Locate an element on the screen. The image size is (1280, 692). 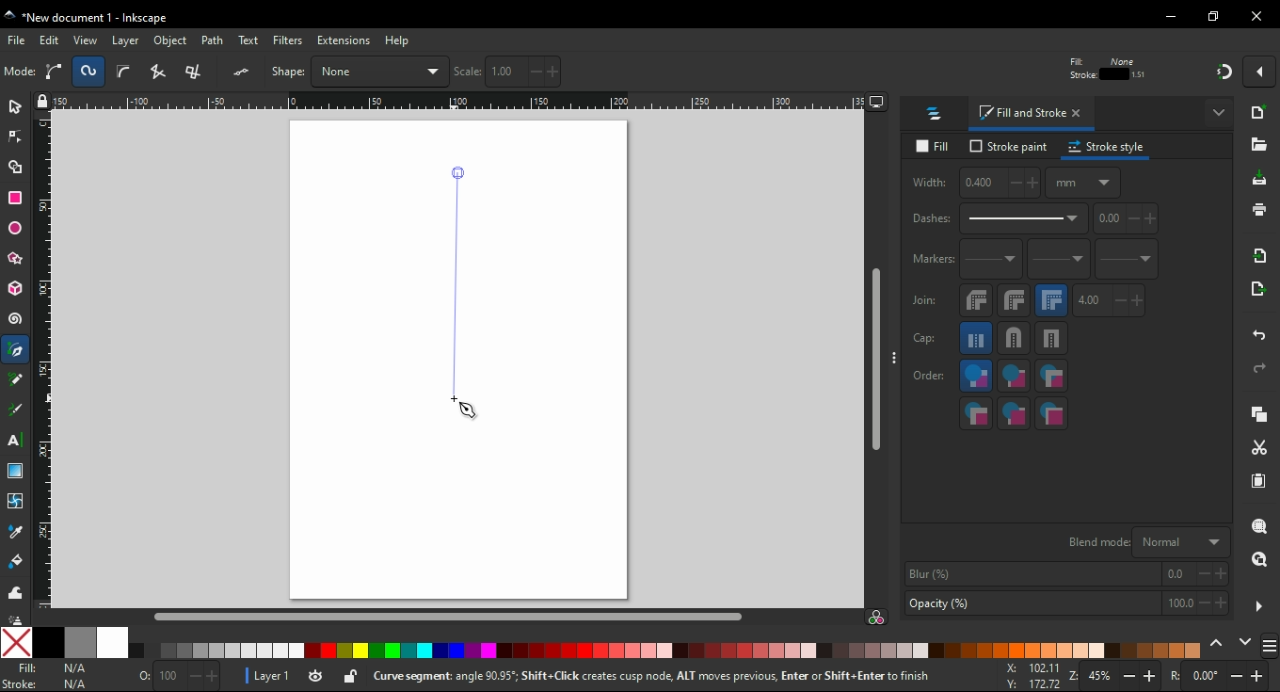
last markers is located at coordinates (1125, 259).